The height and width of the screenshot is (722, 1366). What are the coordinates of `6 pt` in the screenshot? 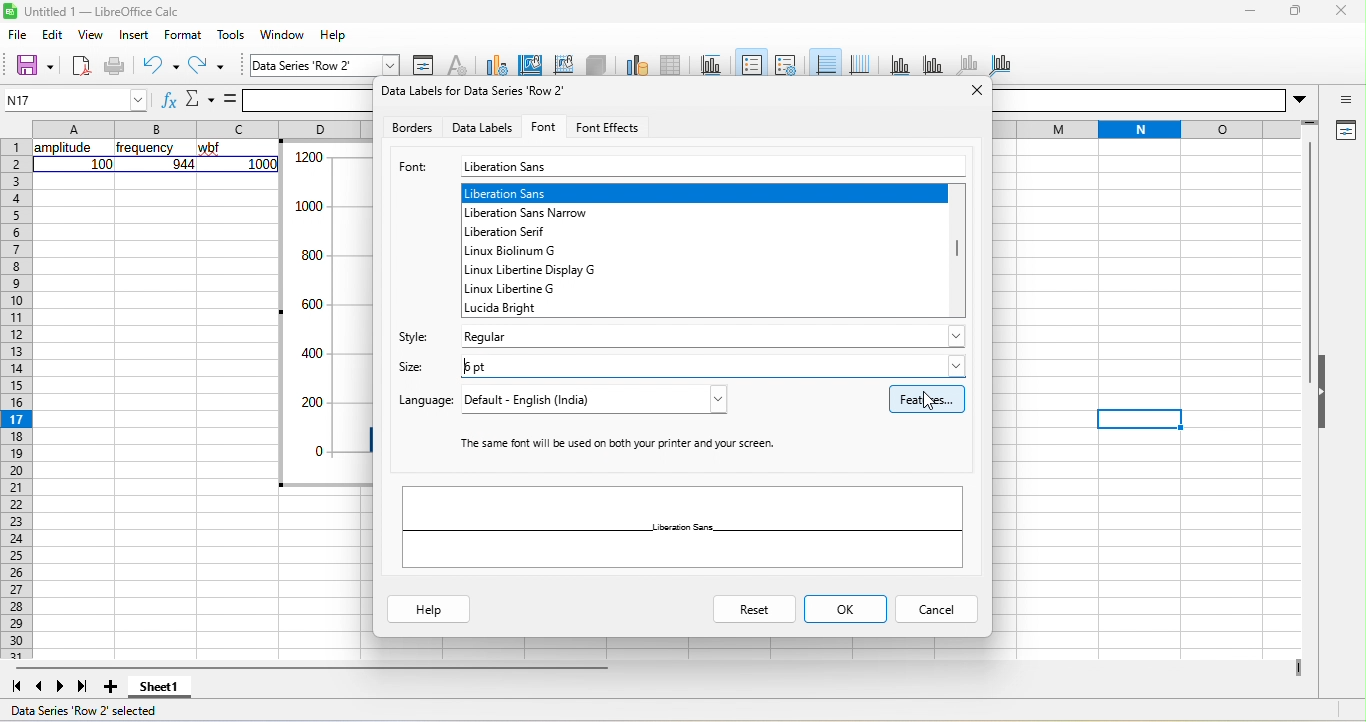 It's located at (713, 366).